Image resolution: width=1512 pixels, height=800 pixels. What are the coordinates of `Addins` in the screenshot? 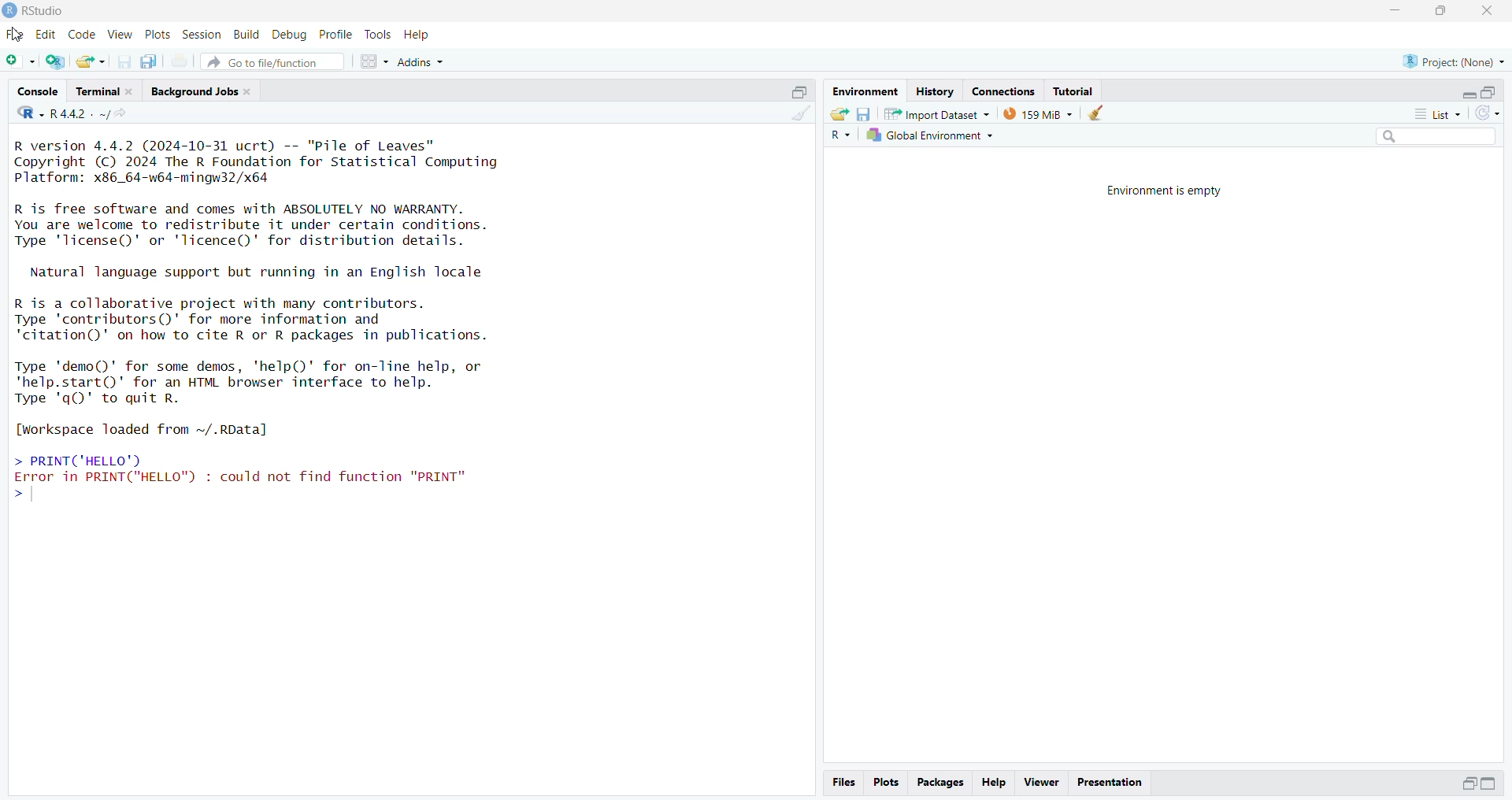 It's located at (421, 64).